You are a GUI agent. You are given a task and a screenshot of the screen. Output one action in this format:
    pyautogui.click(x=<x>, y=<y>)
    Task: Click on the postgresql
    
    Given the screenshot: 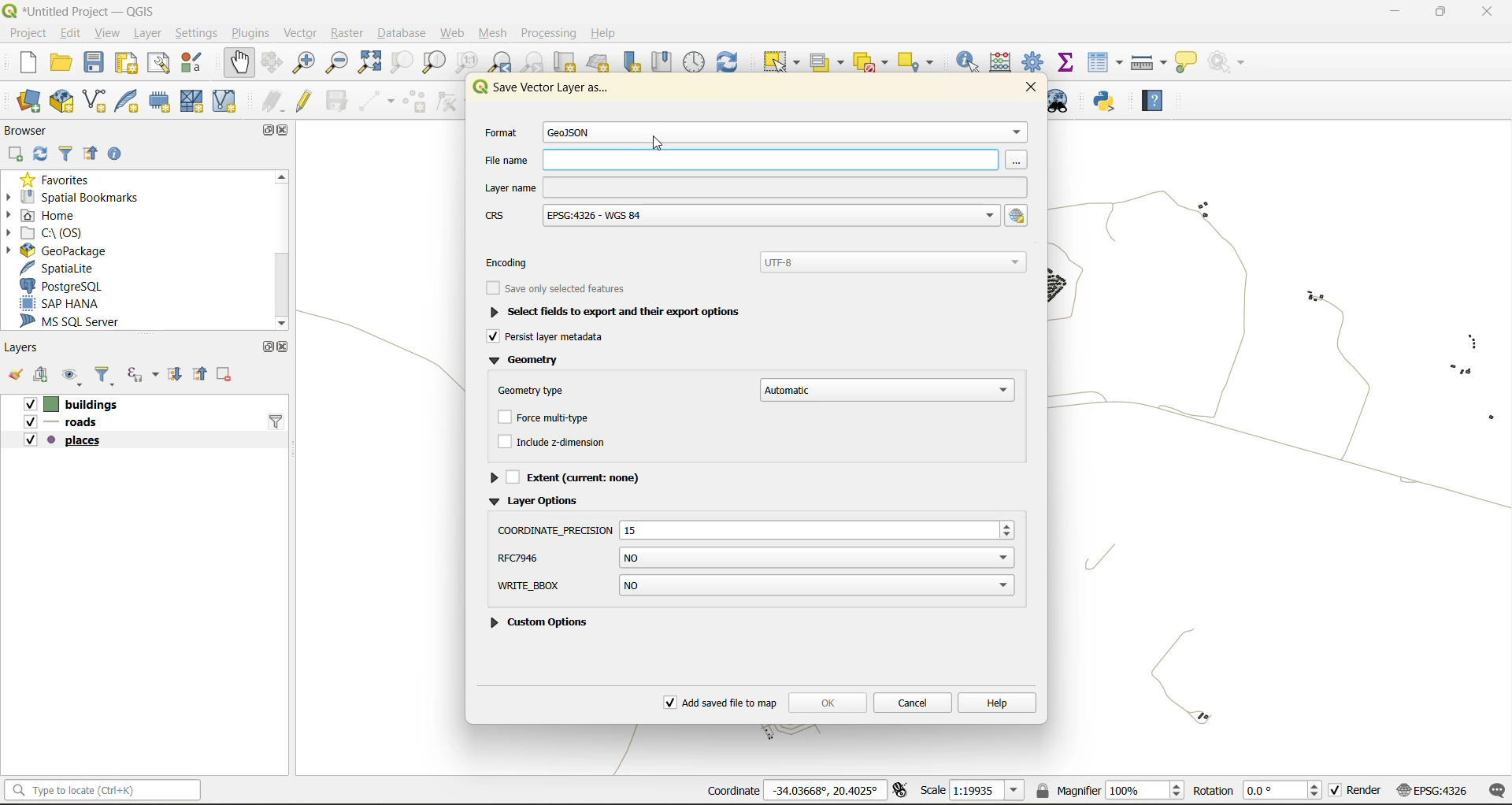 What is the action you would take?
    pyautogui.click(x=67, y=287)
    